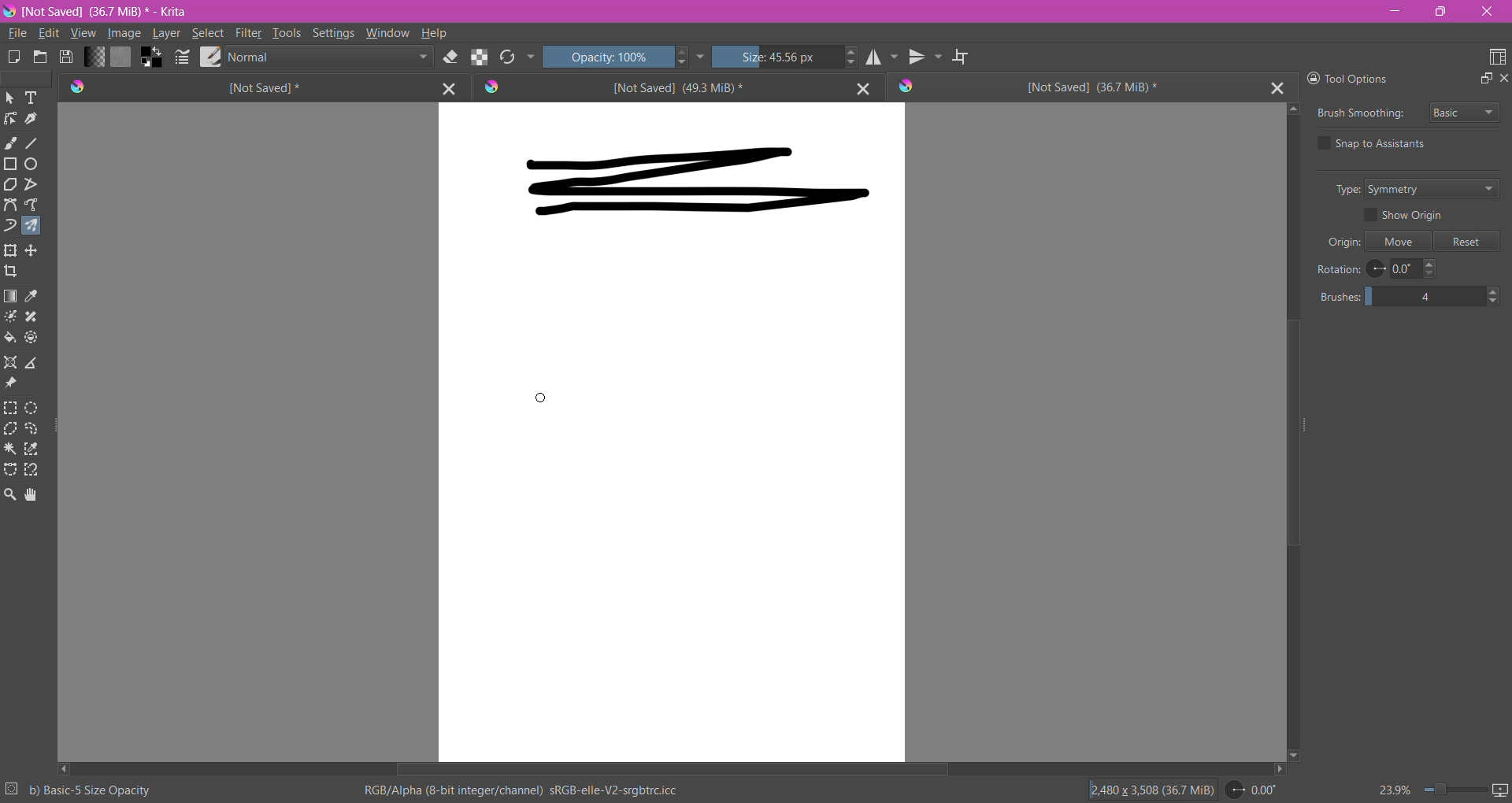  I want to click on Set the number of brushes, so click(1403, 297).